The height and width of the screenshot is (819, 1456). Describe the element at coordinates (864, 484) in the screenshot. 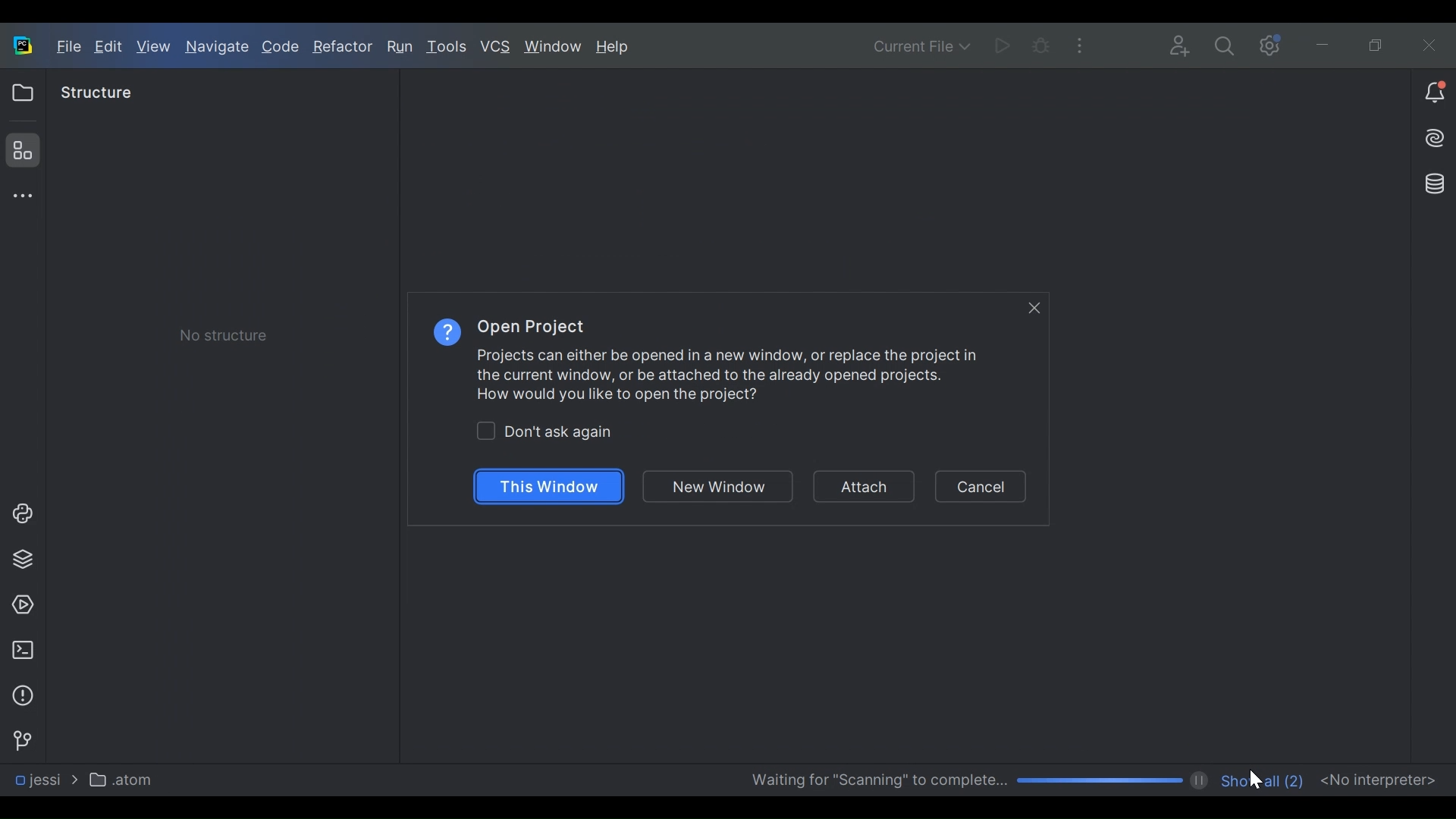

I see `Attach` at that location.